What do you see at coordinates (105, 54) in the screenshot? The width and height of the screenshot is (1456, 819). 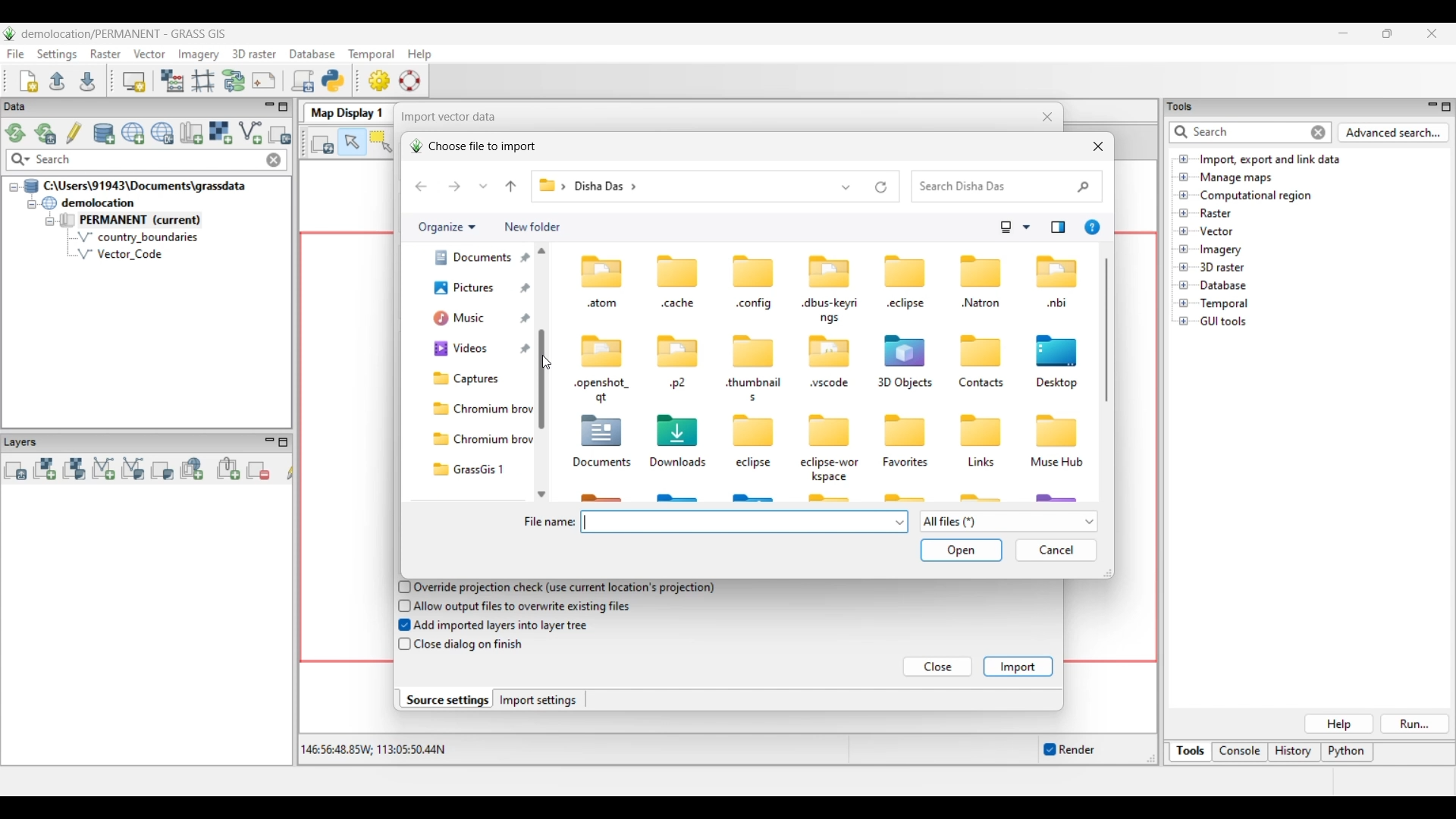 I see `Raster menu` at bounding box center [105, 54].